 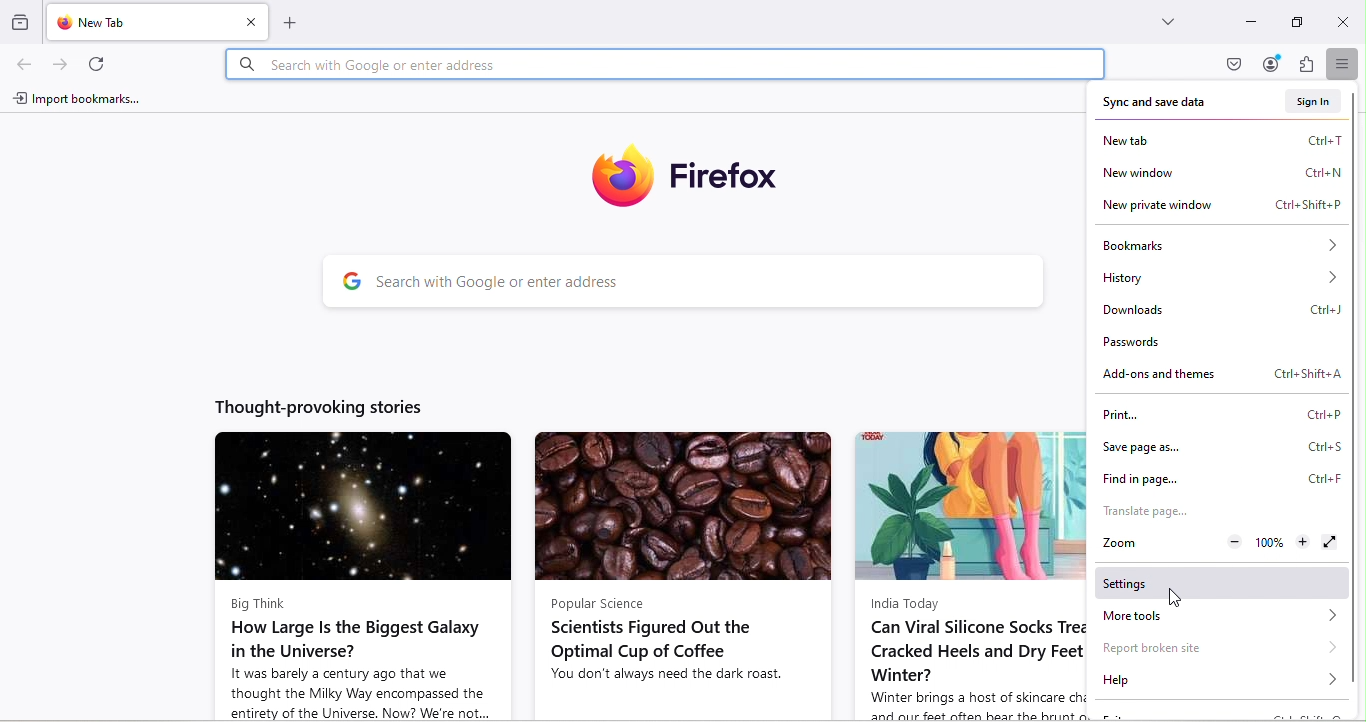 What do you see at coordinates (25, 64) in the screenshot?
I see `Go back one page` at bounding box center [25, 64].